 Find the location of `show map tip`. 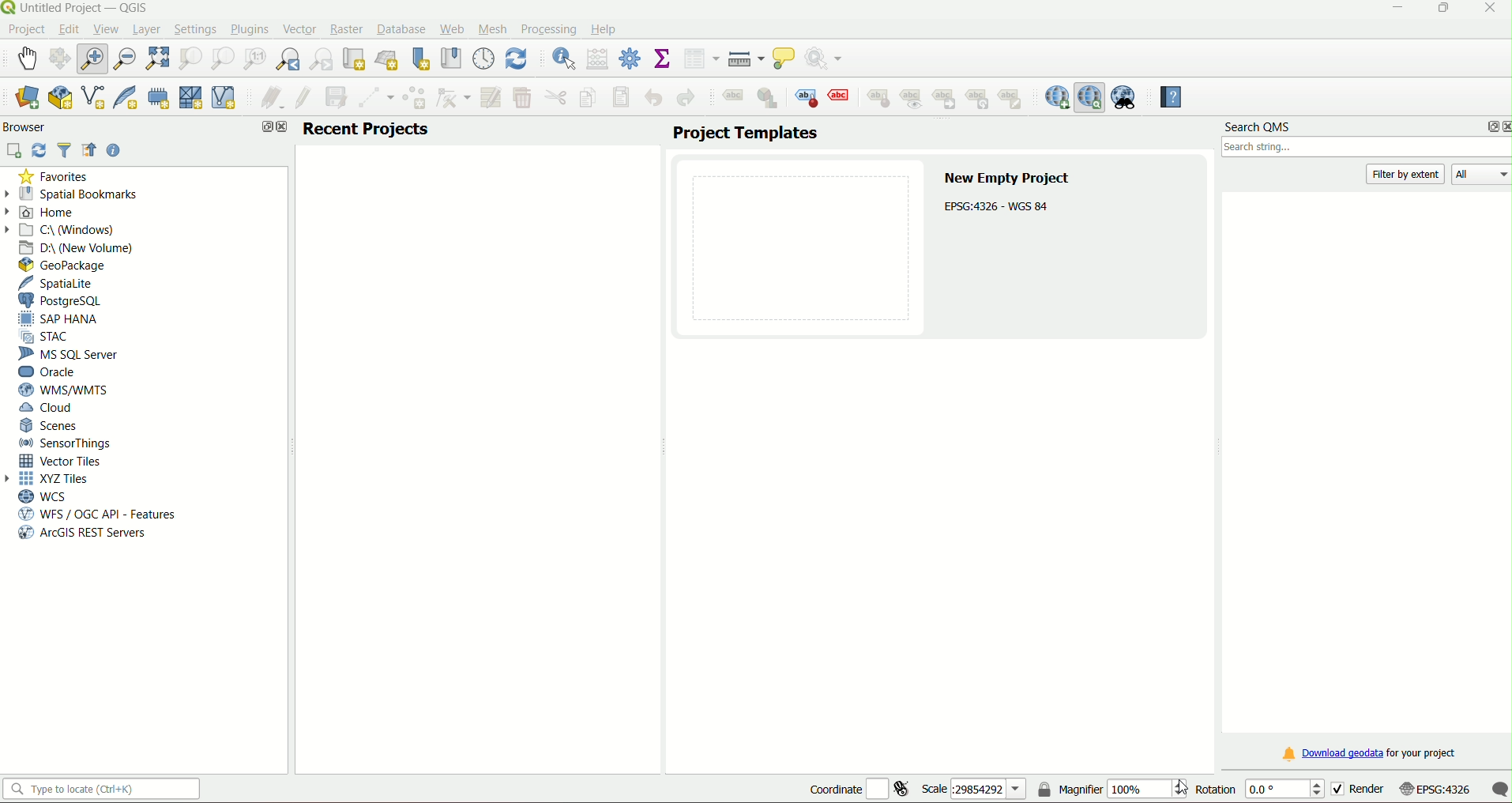

show map tip is located at coordinates (785, 59).